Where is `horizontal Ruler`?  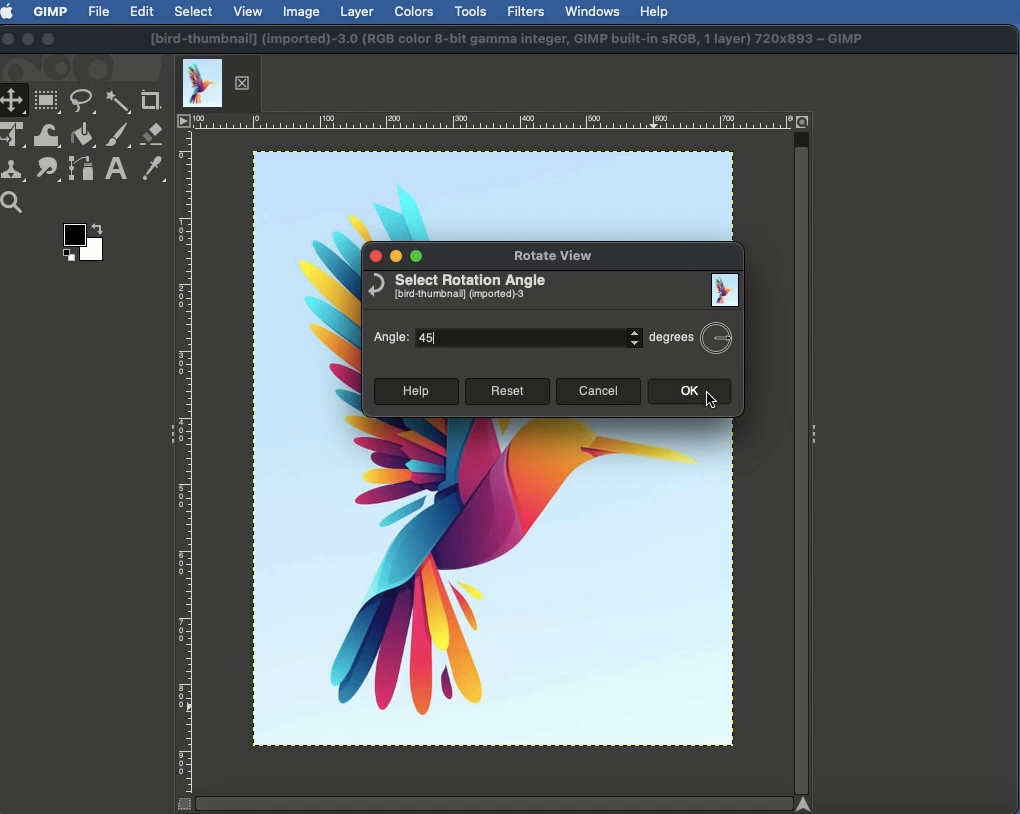
horizontal Ruler is located at coordinates (492, 121).